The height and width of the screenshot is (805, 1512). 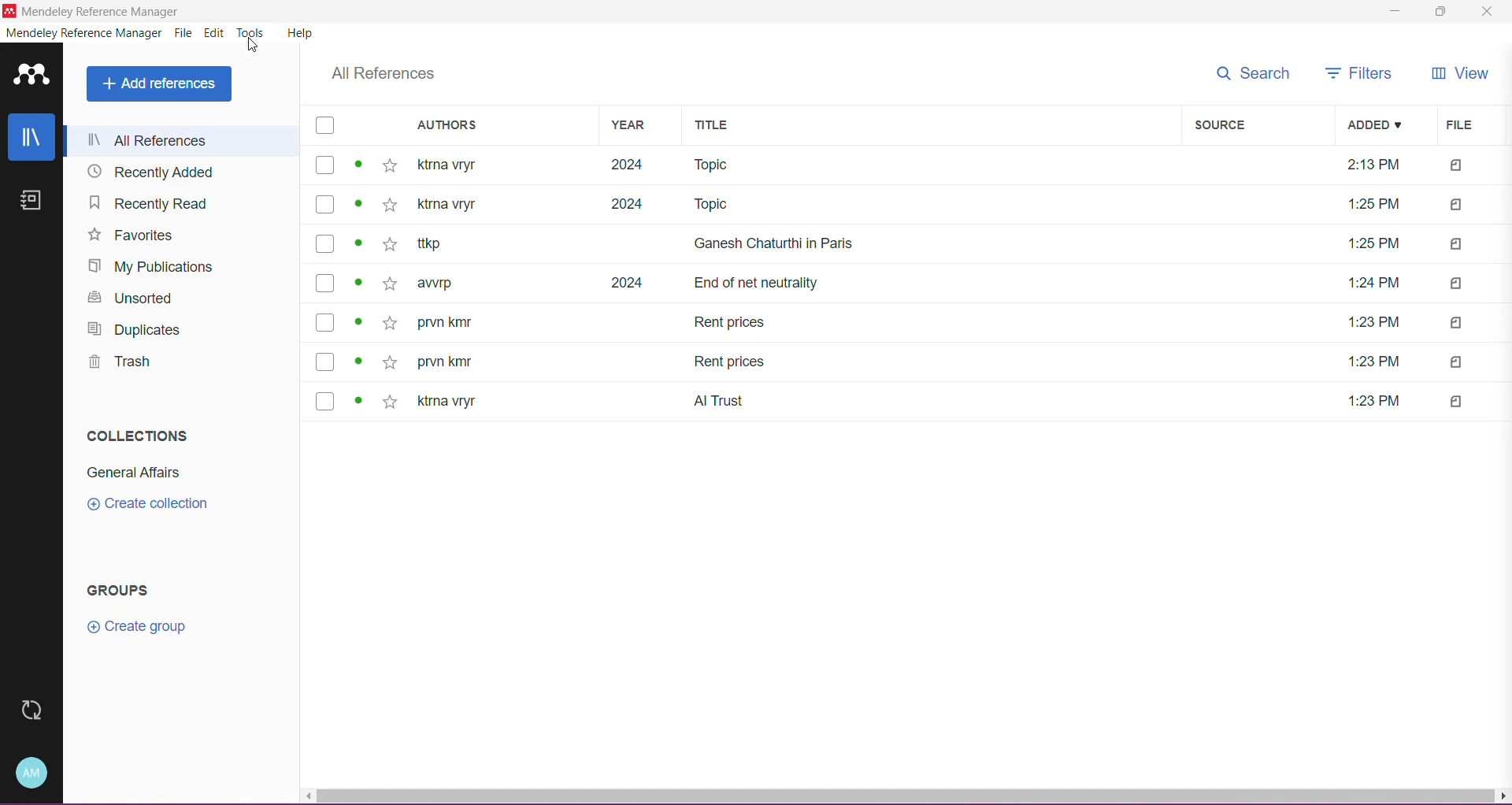 What do you see at coordinates (327, 243) in the screenshot?
I see `checkbox` at bounding box center [327, 243].